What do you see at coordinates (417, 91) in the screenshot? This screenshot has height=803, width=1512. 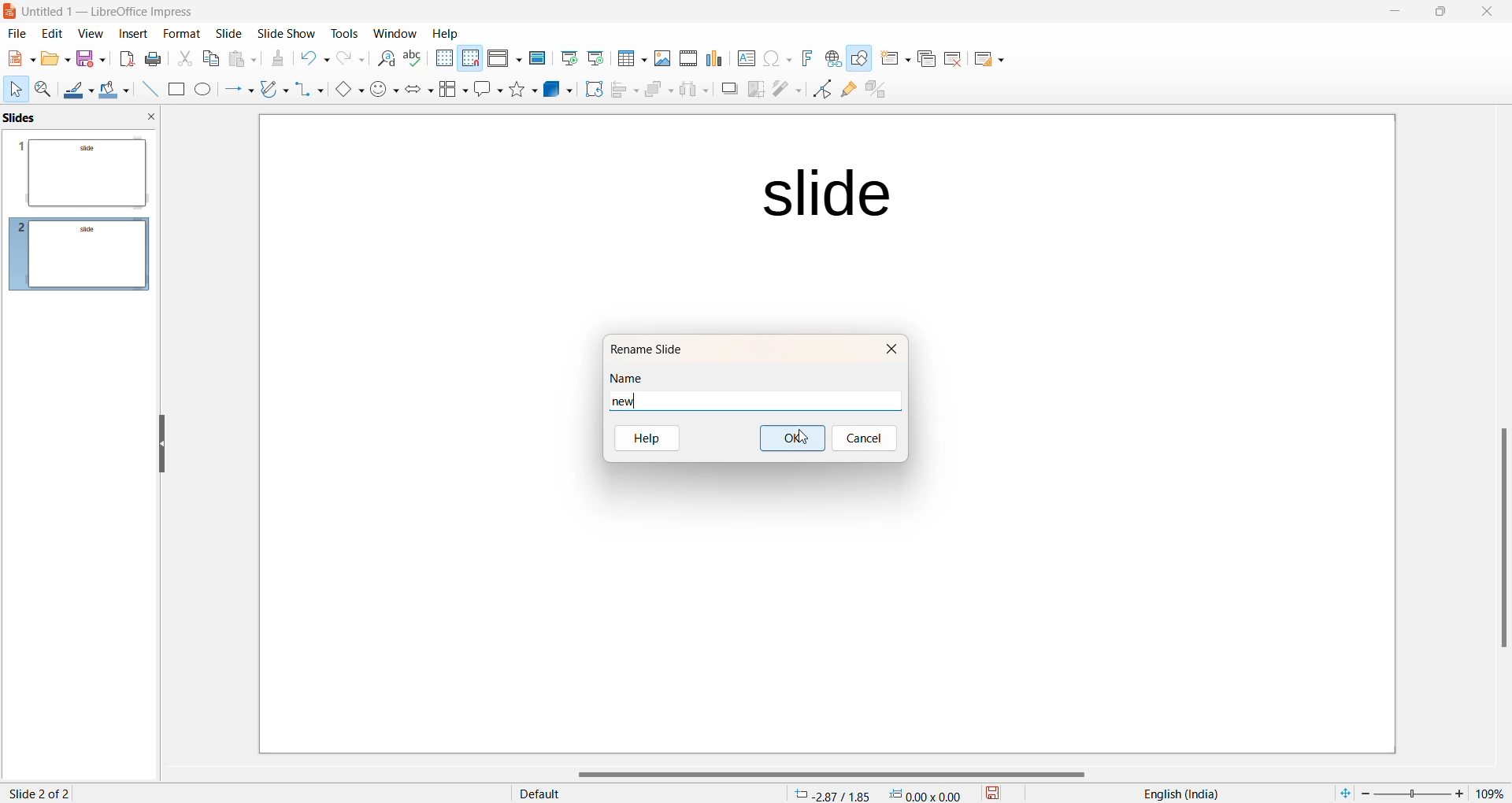 I see `Block arrows` at bounding box center [417, 91].